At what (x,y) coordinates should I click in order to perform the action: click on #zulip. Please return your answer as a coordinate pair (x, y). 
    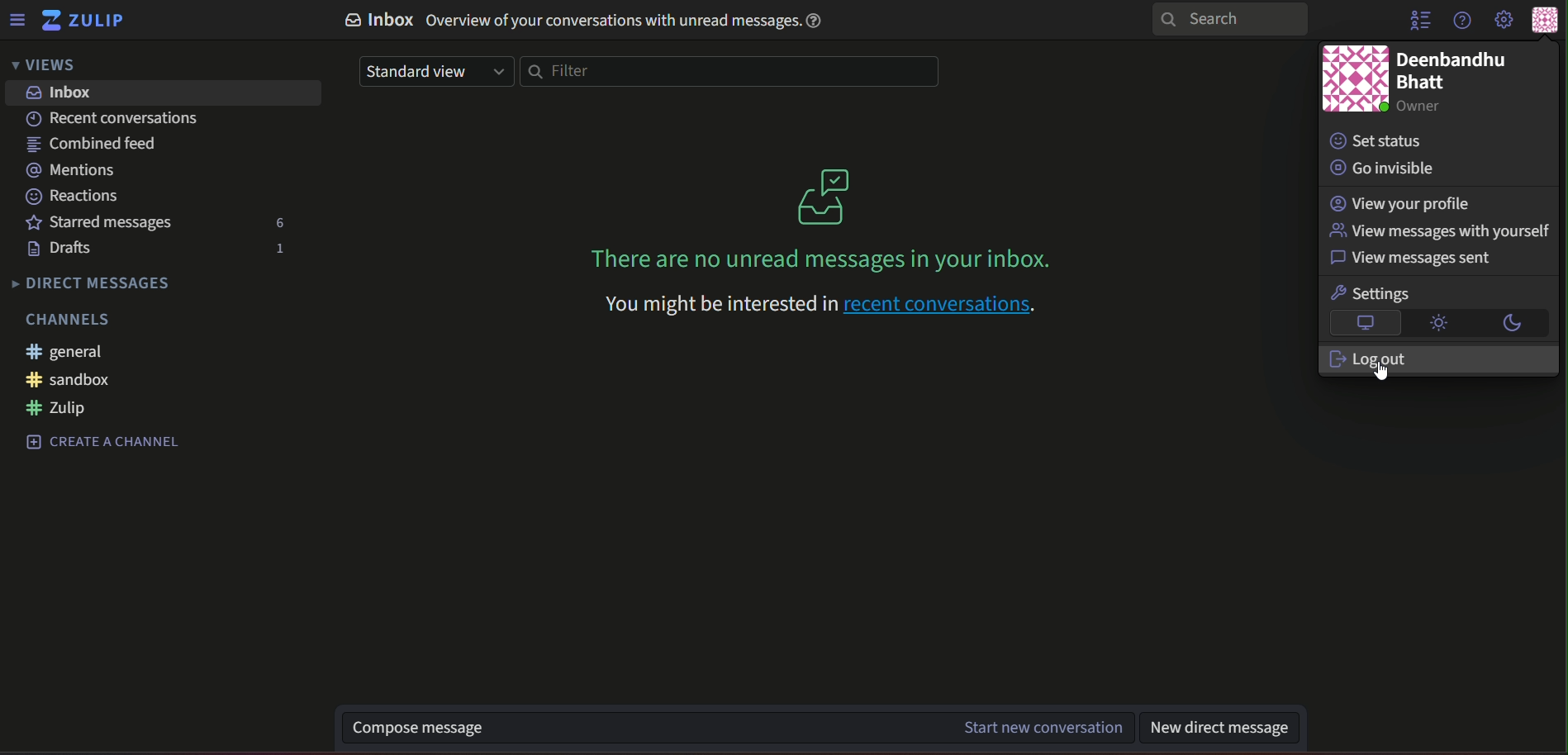
    Looking at the image, I should click on (64, 408).